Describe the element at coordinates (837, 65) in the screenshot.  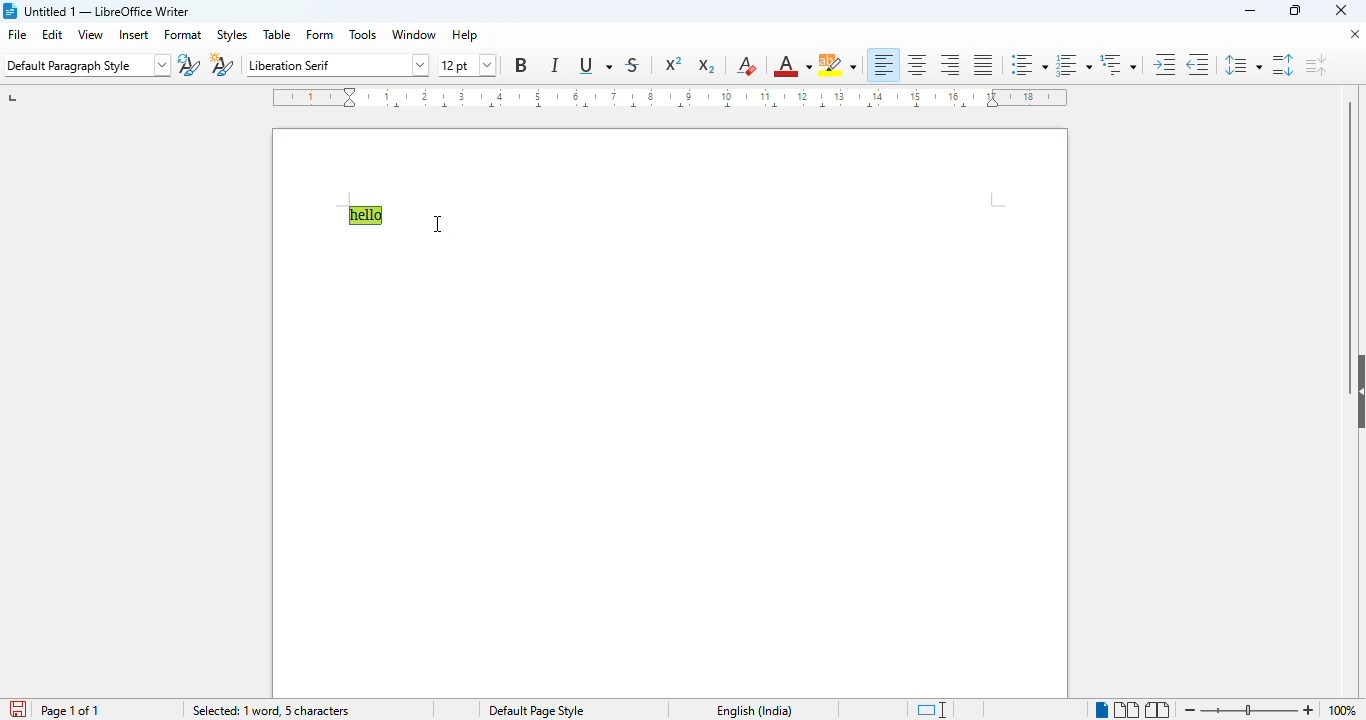
I see `character highlighting color` at that location.